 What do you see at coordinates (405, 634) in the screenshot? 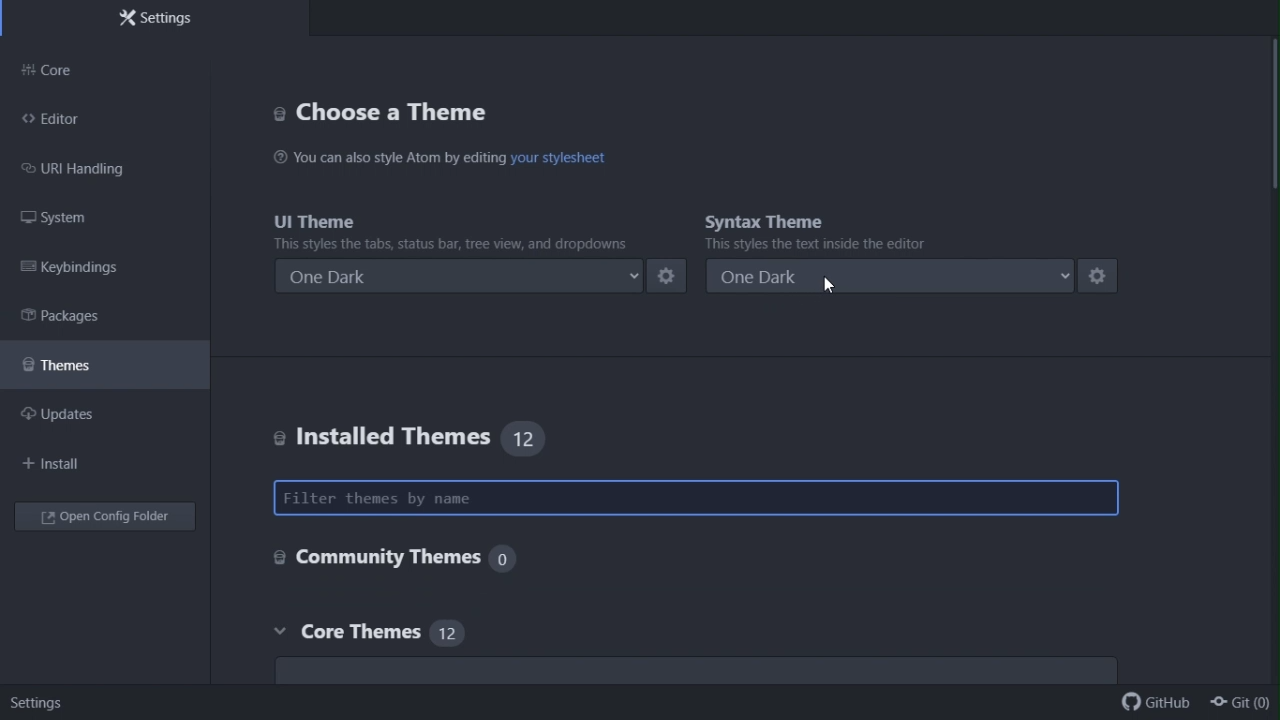
I see `core themes` at bounding box center [405, 634].